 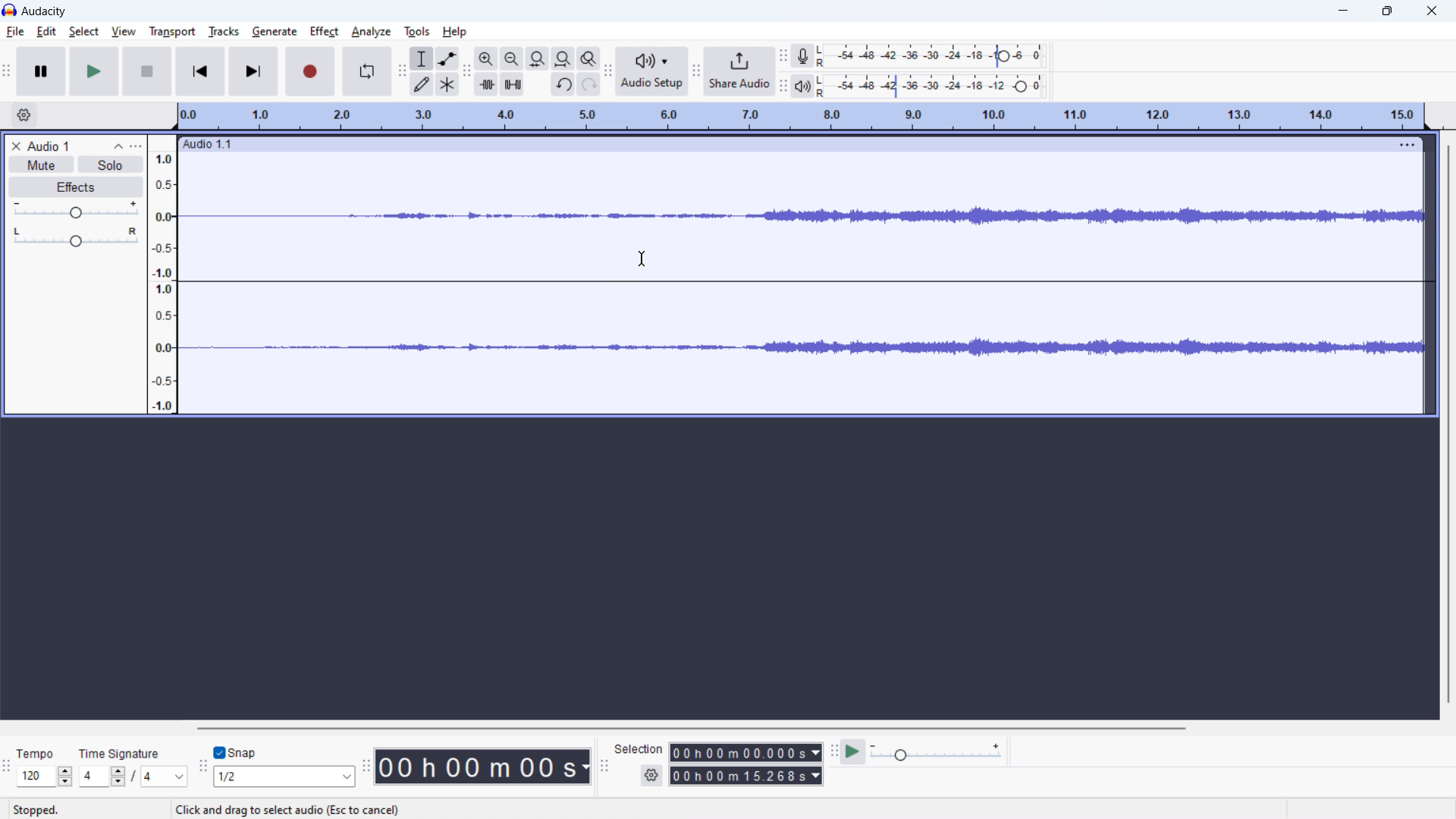 What do you see at coordinates (121, 750) in the screenshot?
I see `Time Signature` at bounding box center [121, 750].